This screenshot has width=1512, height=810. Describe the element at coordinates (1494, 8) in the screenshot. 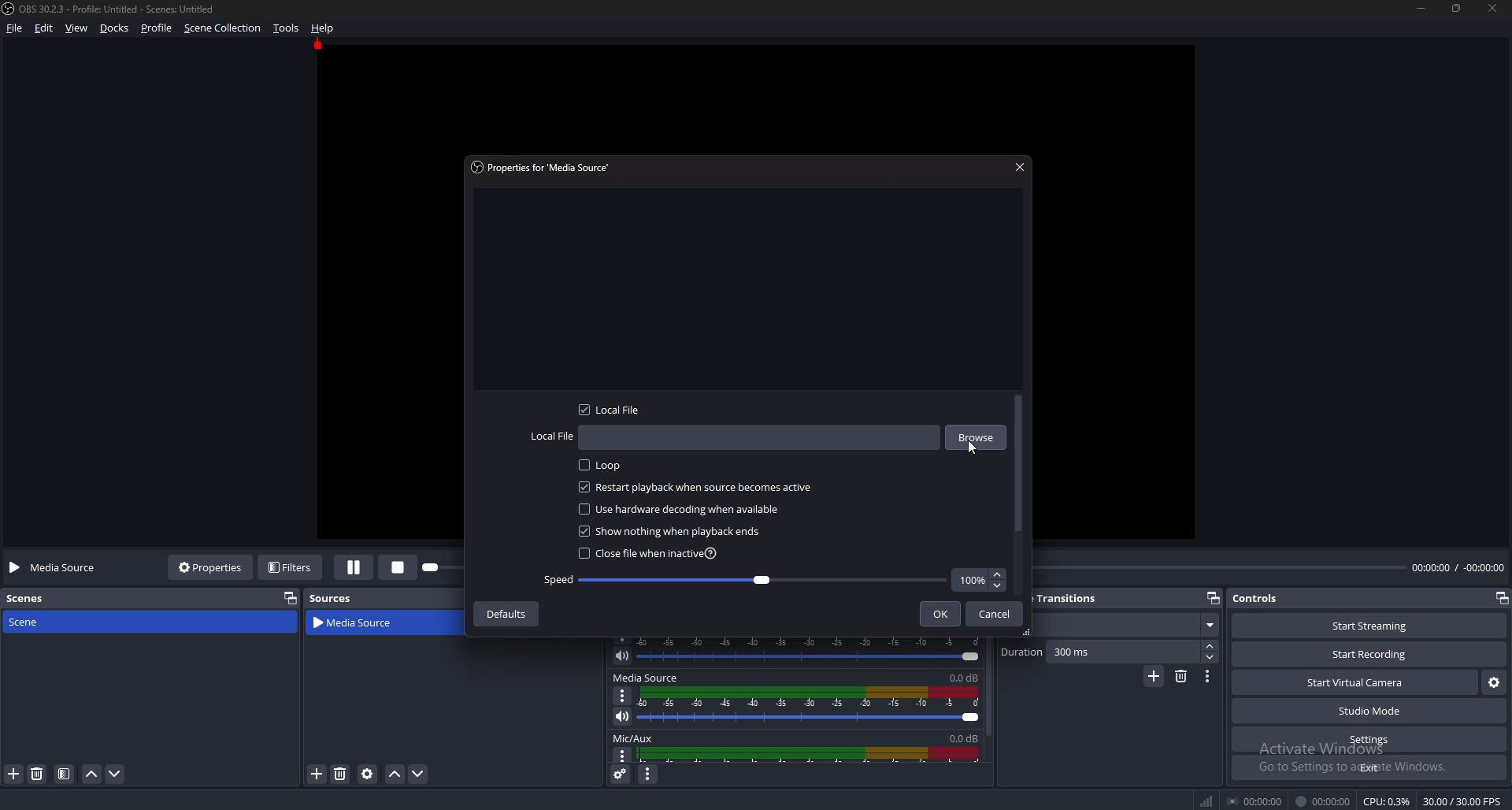

I see `close` at that location.